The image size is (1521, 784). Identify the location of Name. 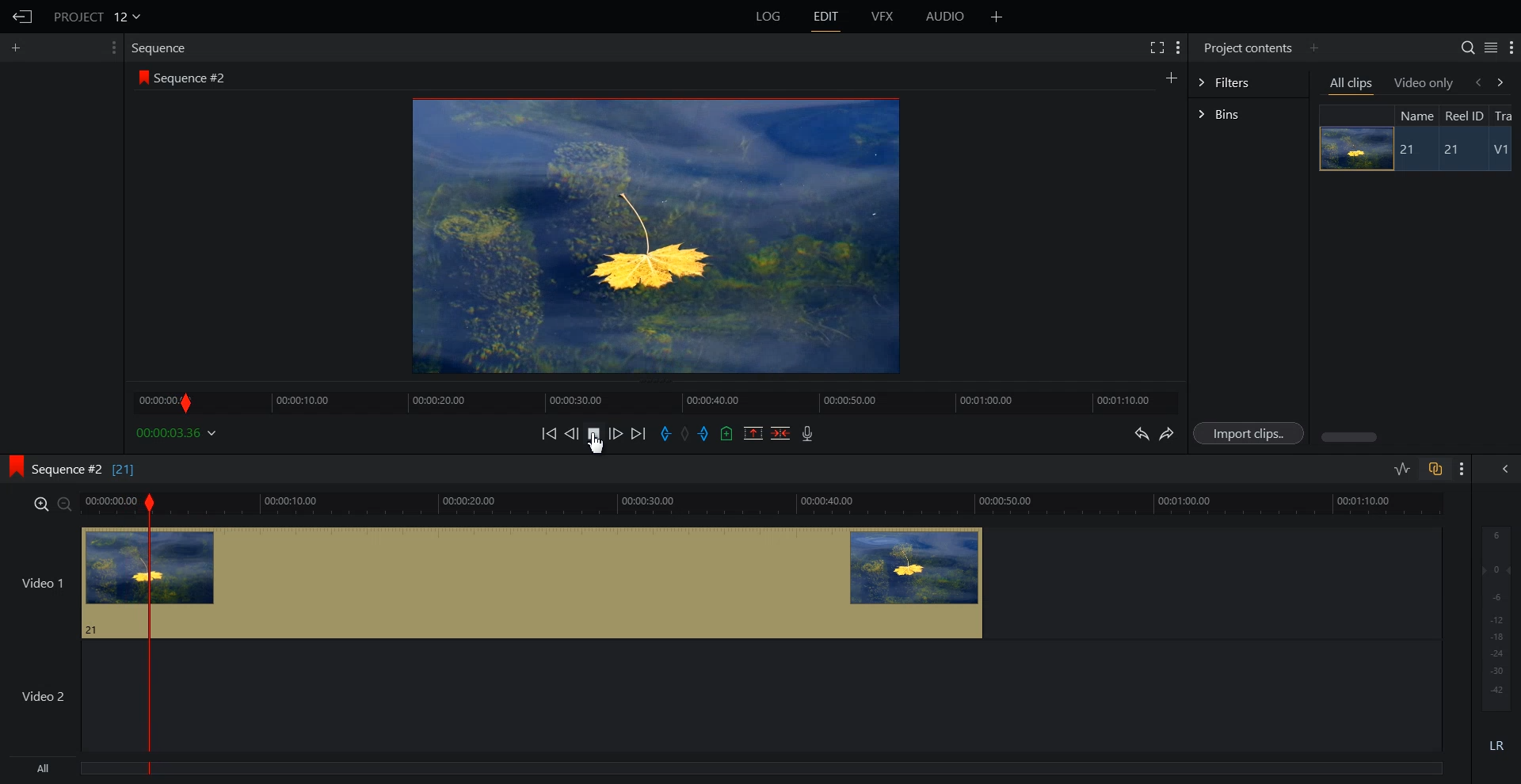
(1415, 115).